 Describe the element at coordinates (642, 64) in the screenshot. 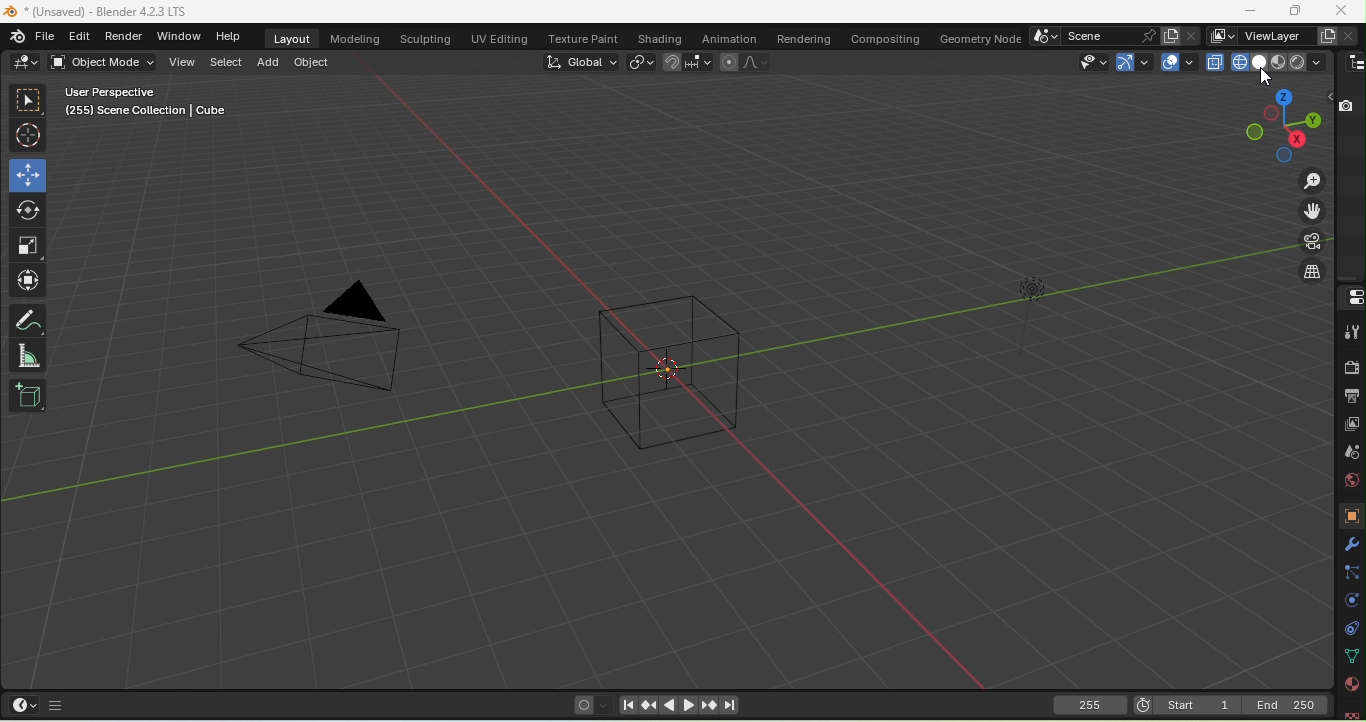

I see `Transform pivot point` at that location.